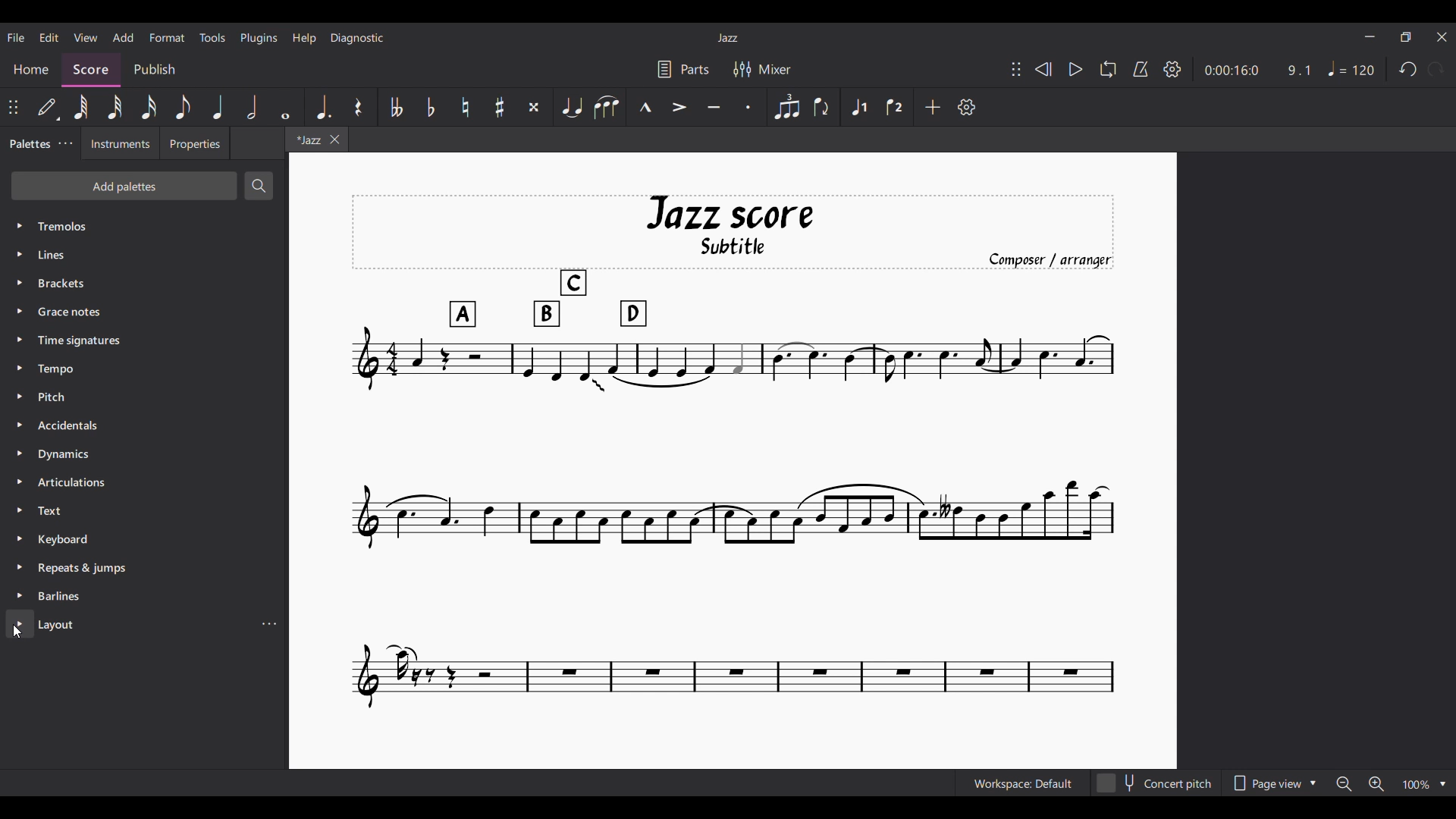 The height and width of the screenshot is (819, 1456). What do you see at coordinates (168, 38) in the screenshot?
I see `Format menu` at bounding box center [168, 38].